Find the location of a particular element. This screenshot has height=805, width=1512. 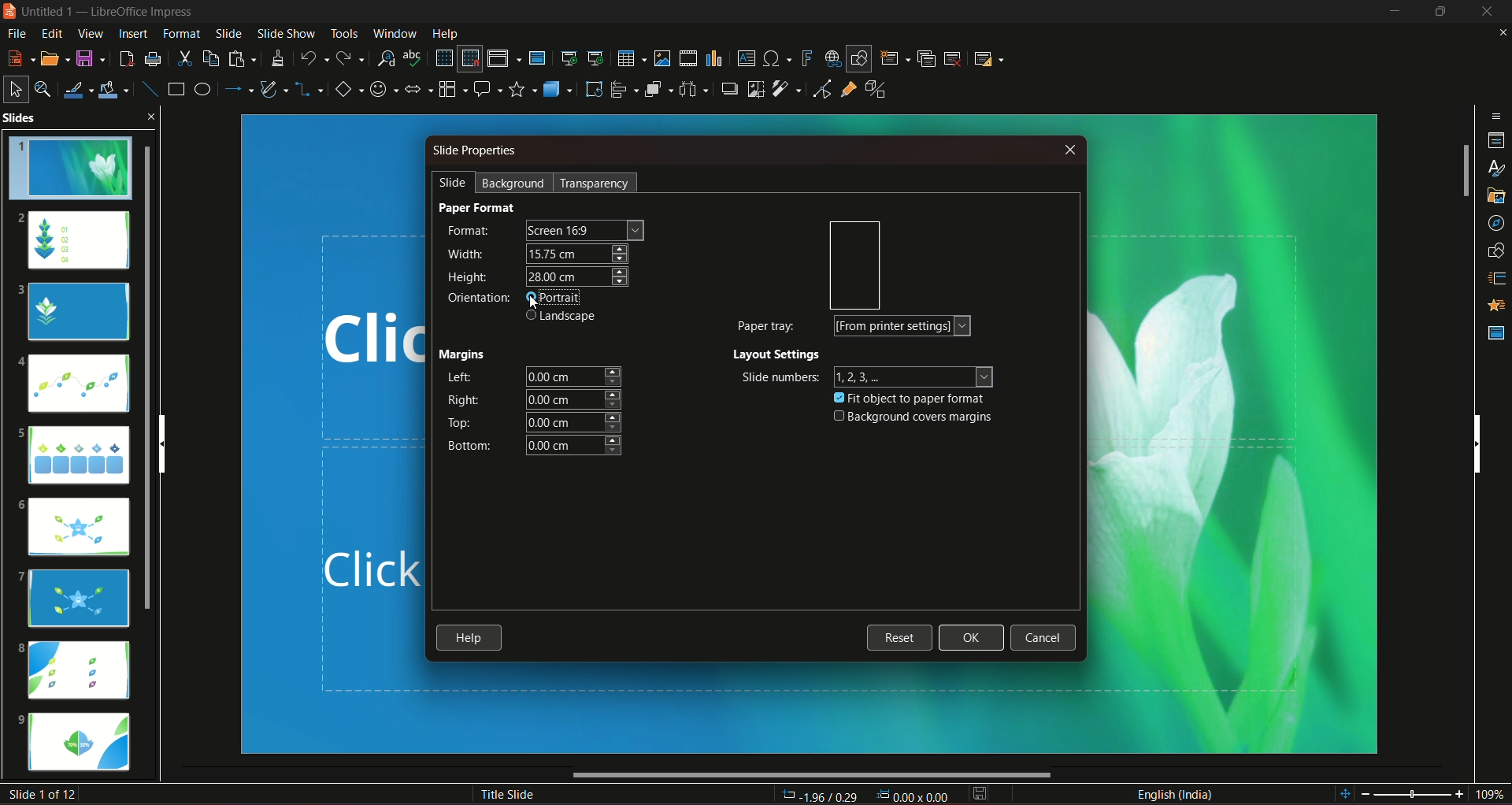

right is located at coordinates (461, 400).